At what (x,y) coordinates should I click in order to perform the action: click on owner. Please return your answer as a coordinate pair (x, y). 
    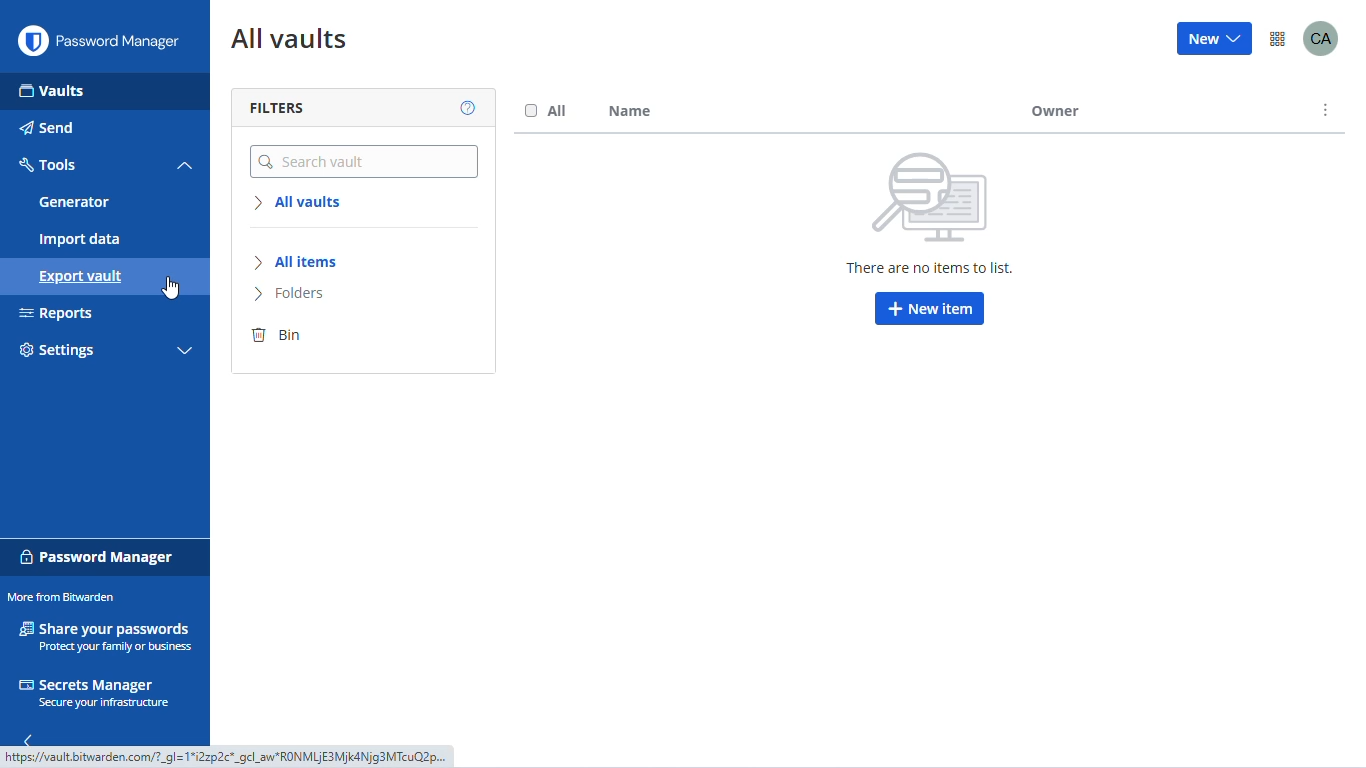
    Looking at the image, I should click on (1152, 111).